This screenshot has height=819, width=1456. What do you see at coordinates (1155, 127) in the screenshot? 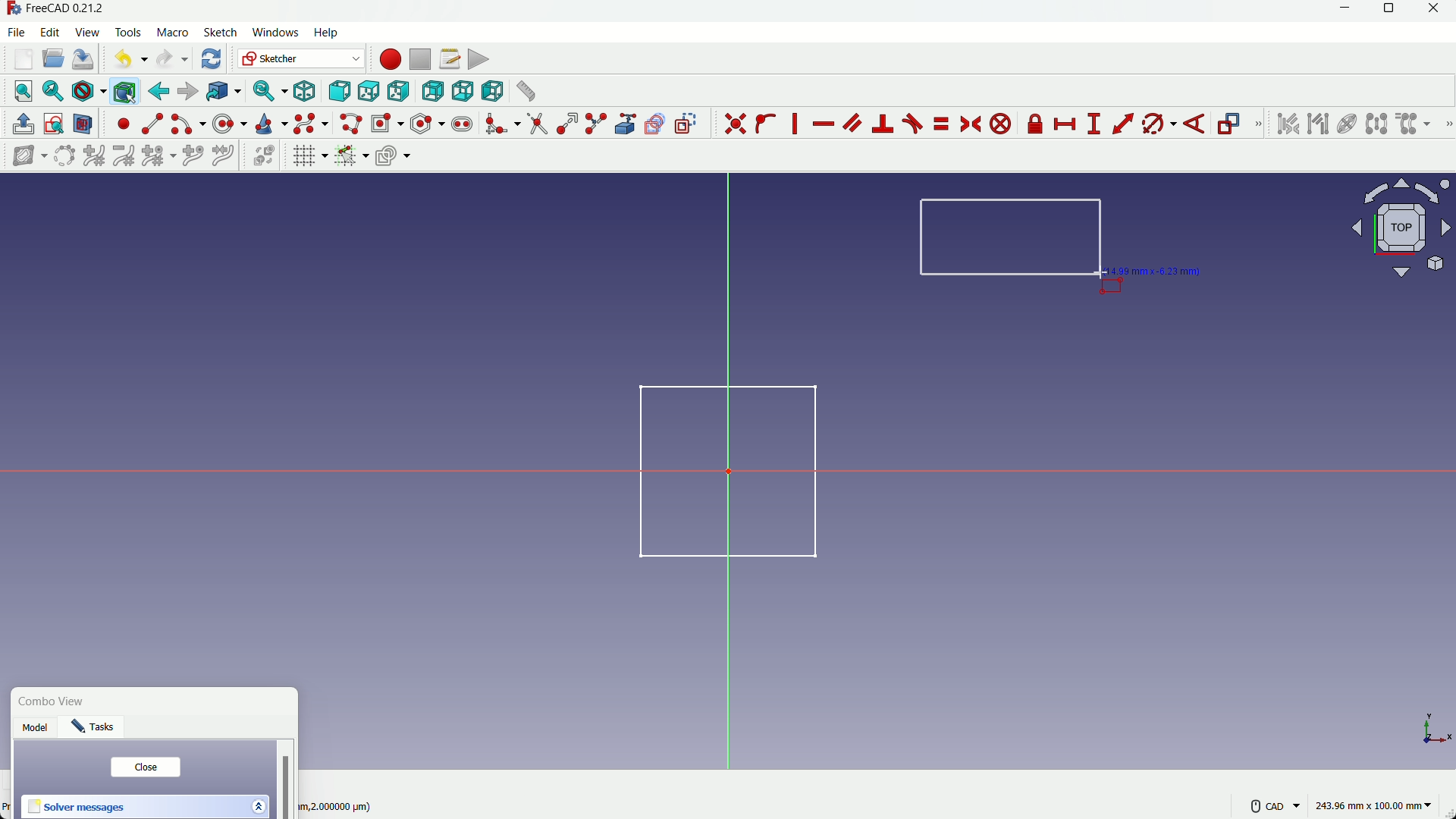
I see `constraint arc or circle` at bounding box center [1155, 127].